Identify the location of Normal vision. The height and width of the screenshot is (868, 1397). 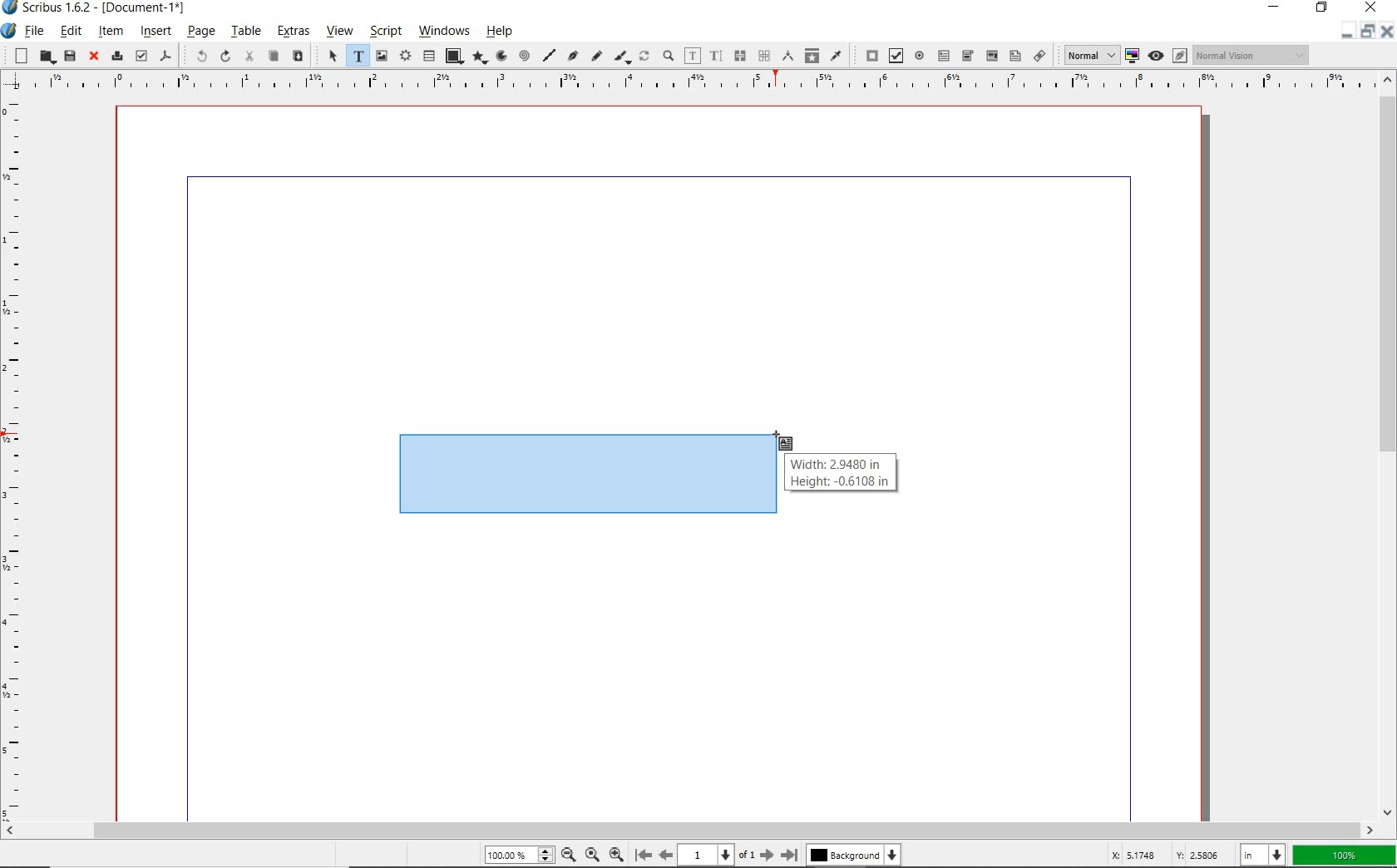
(1251, 56).